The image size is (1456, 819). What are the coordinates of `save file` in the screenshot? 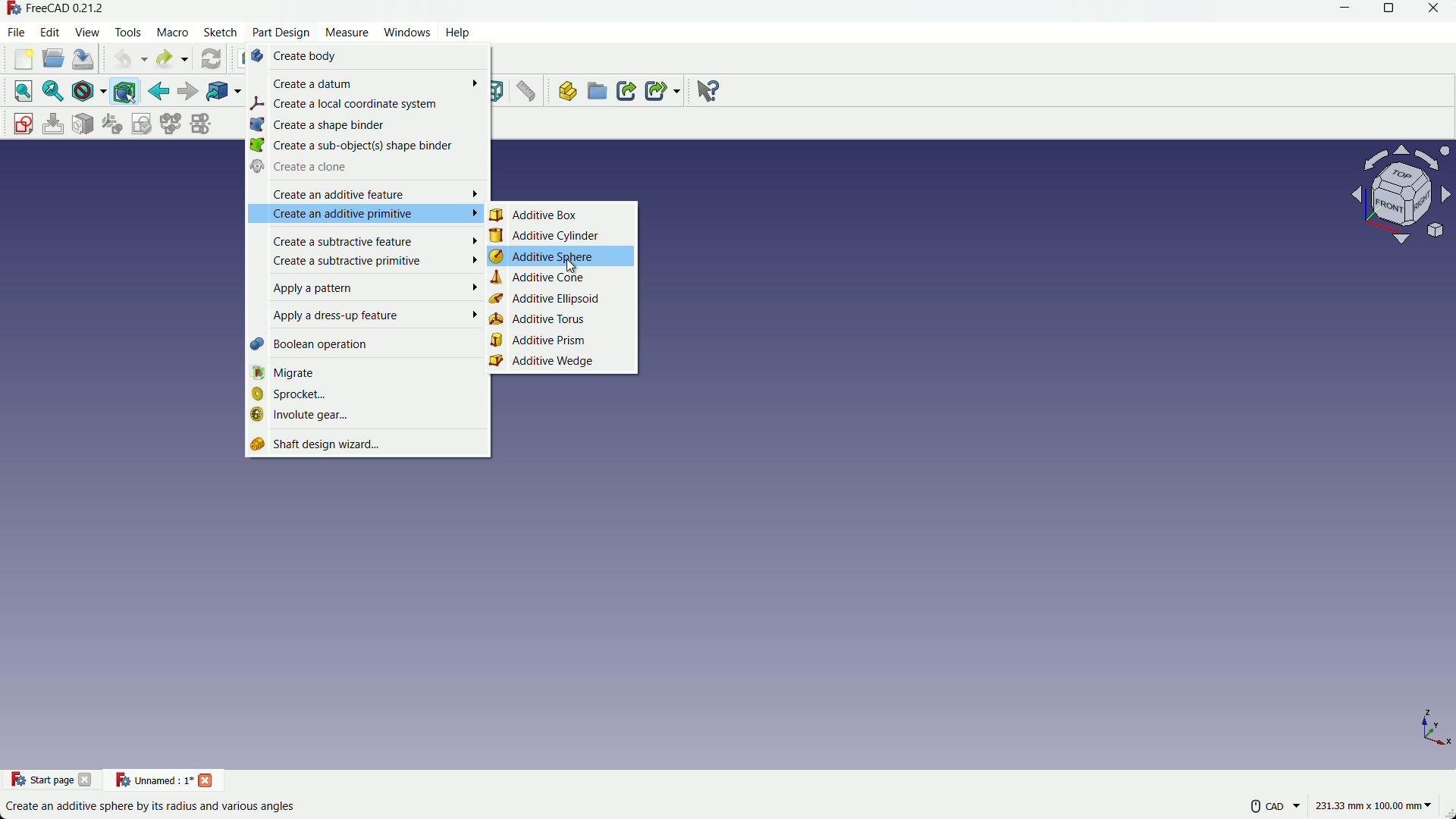 It's located at (83, 58).